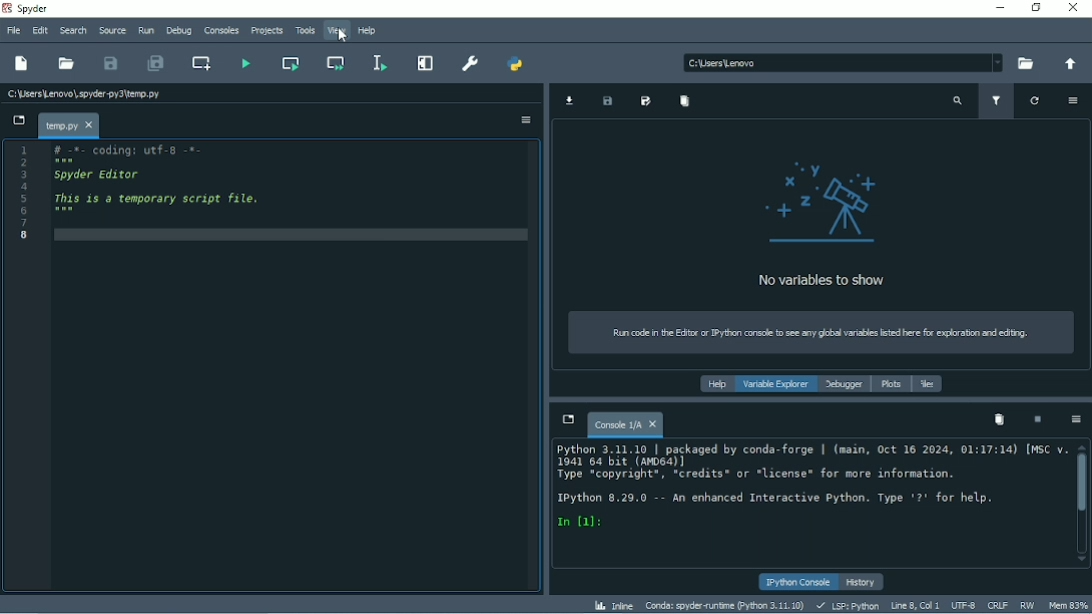 This screenshot has height=614, width=1092. Describe the element at coordinates (928, 384) in the screenshot. I see `Files` at that location.